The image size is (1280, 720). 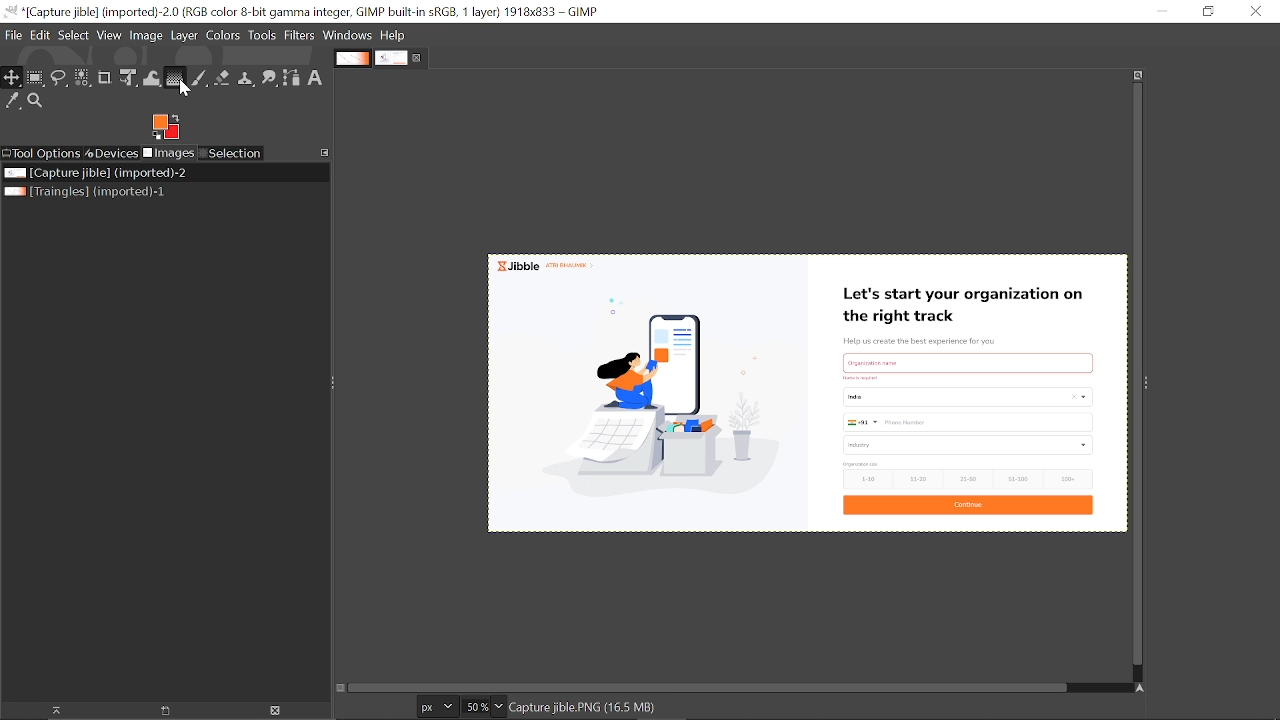 I want to click on Units of the image, so click(x=438, y=706).